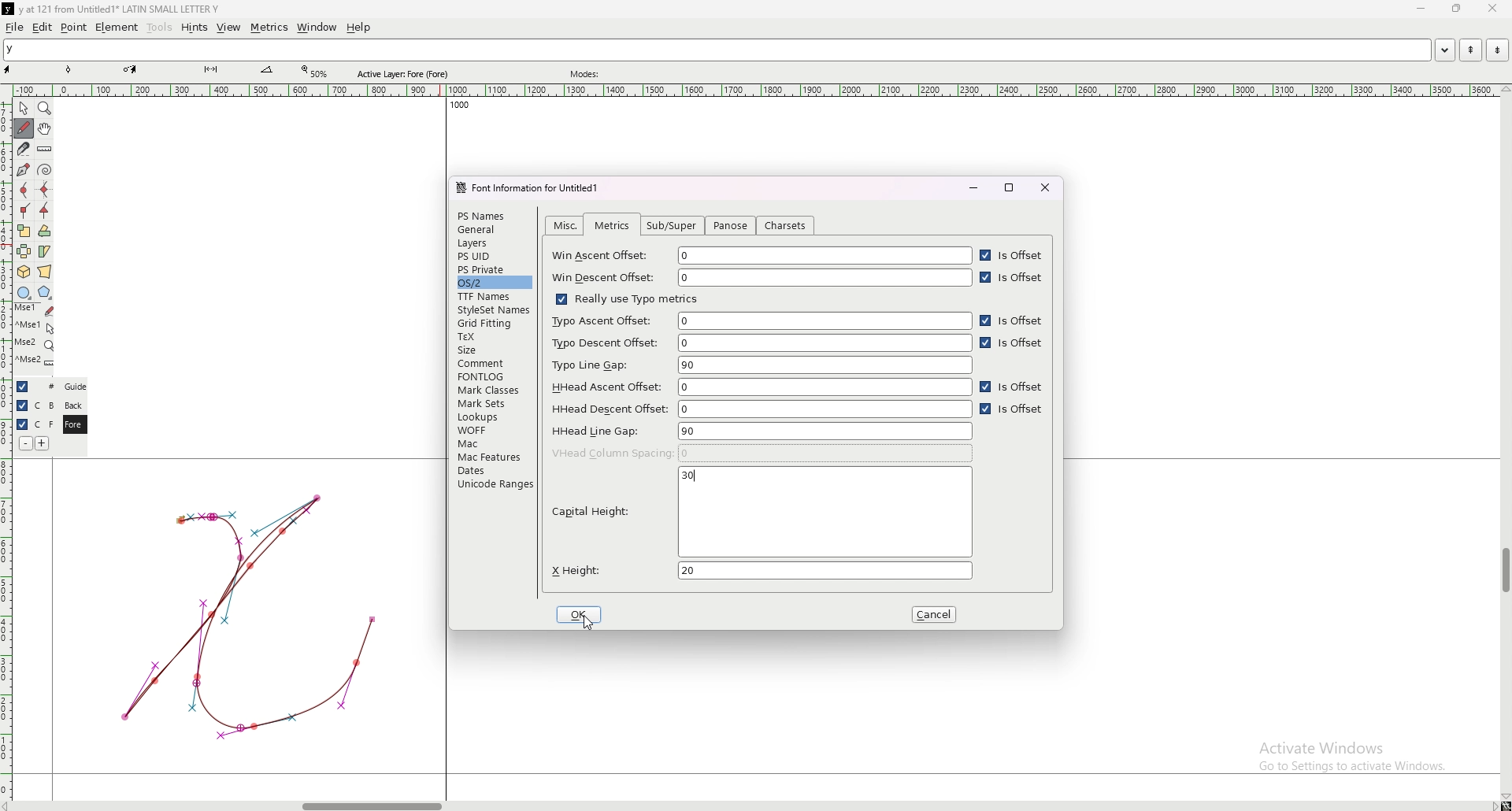 The height and width of the screenshot is (811, 1512). What do you see at coordinates (759, 387) in the screenshot?
I see `hhead ascent offset 0` at bounding box center [759, 387].